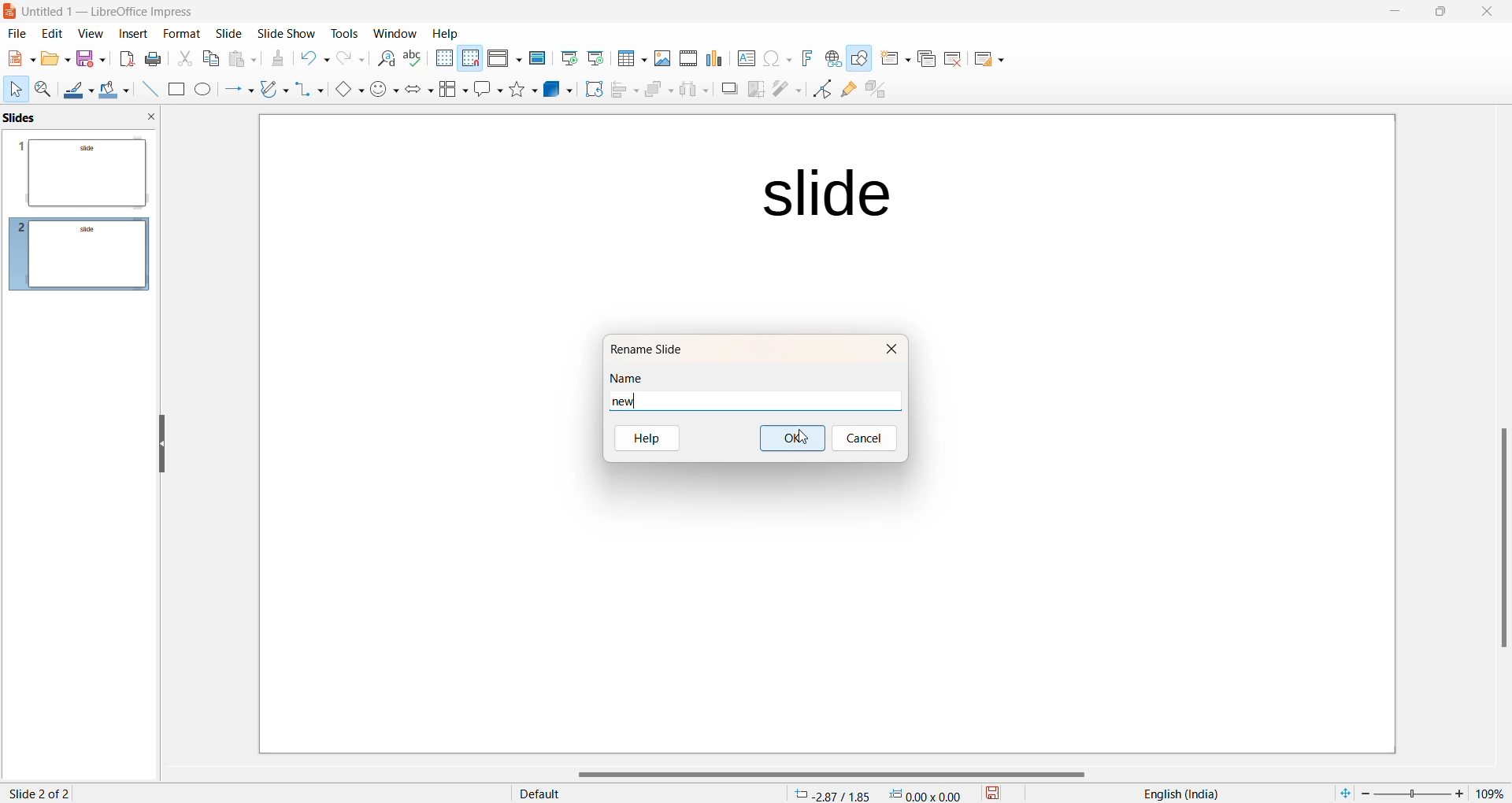 This screenshot has width=1512, height=803. What do you see at coordinates (306, 90) in the screenshot?
I see `connectors` at bounding box center [306, 90].